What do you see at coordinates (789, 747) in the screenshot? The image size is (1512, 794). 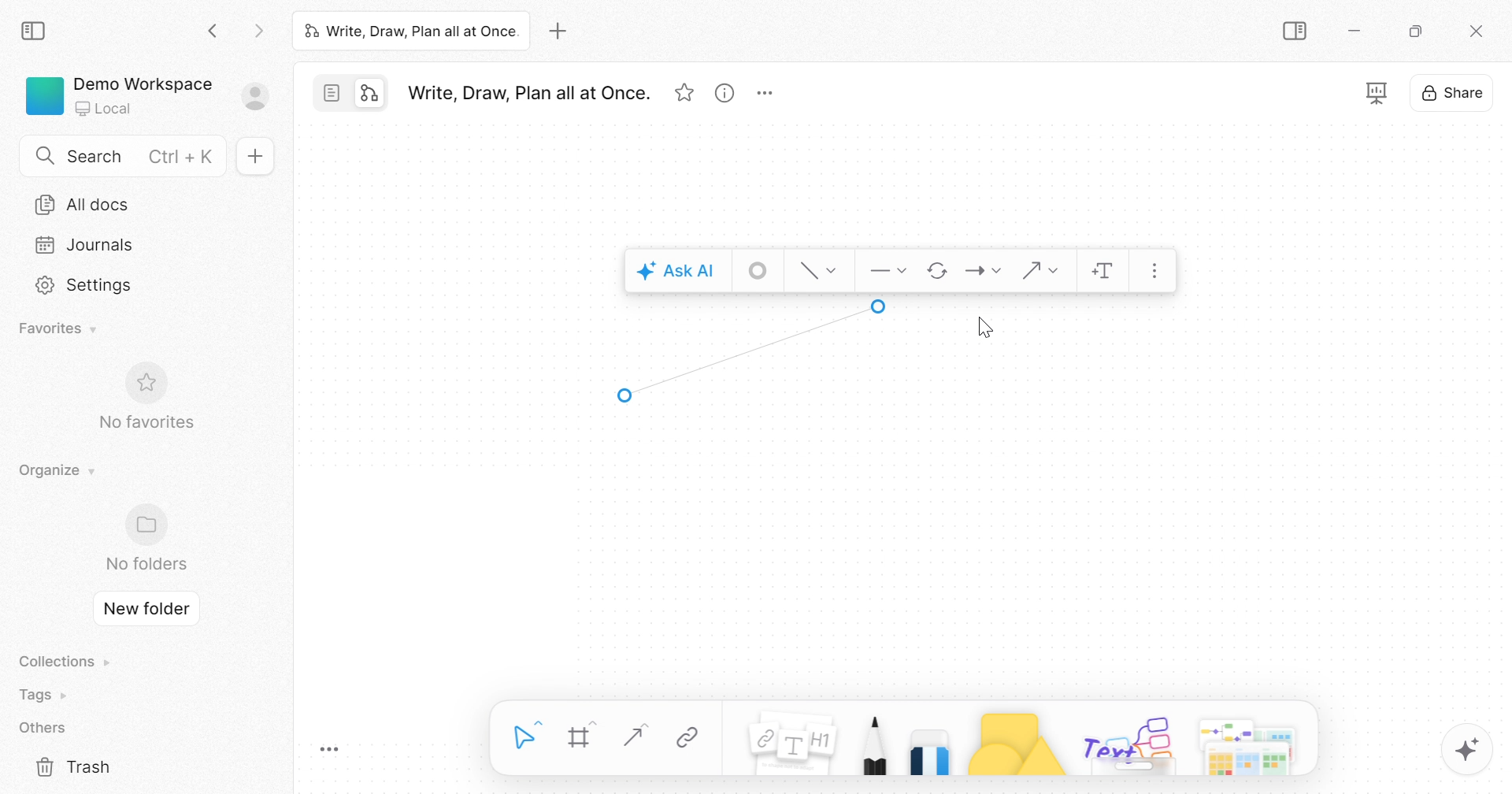 I see `Note` at bounding box center [789, 747].